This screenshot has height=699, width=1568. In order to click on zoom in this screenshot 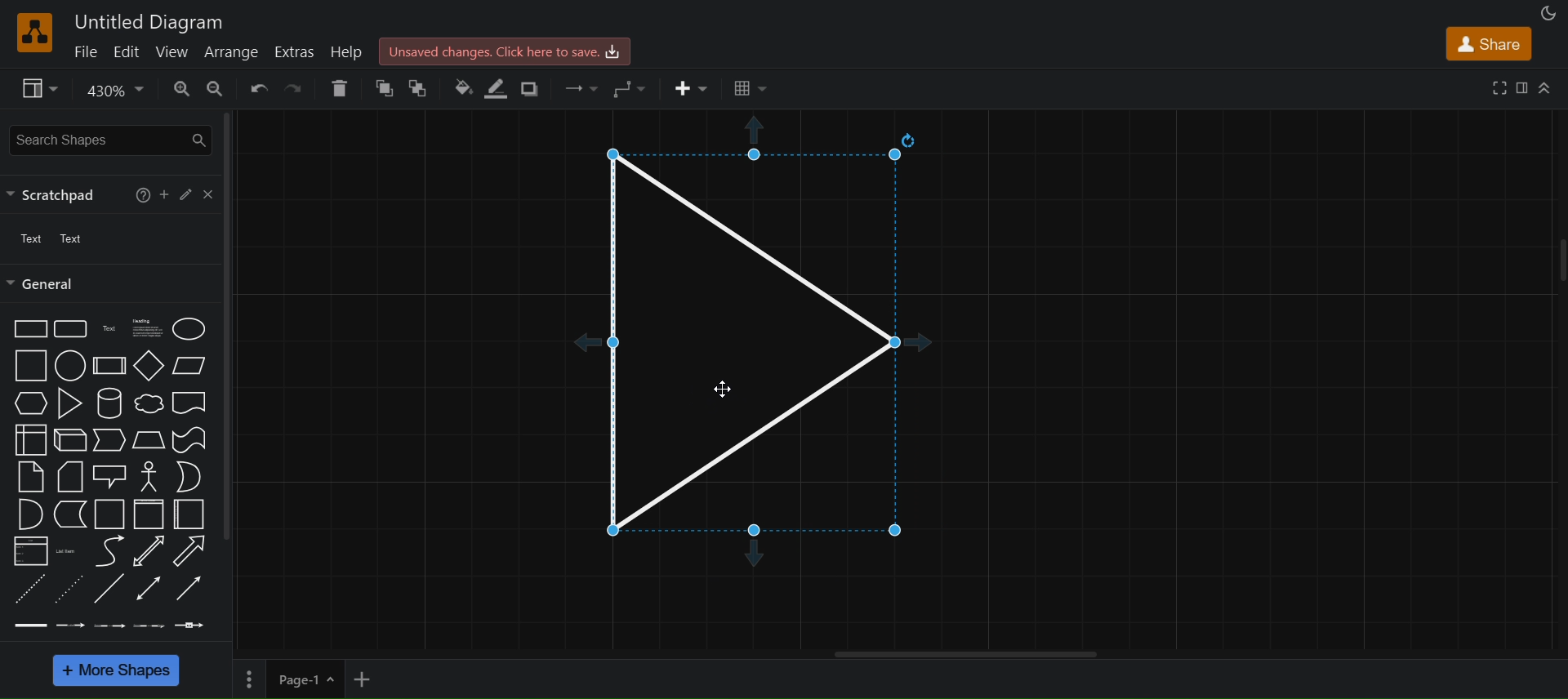, I will do `click(113, 91)`.